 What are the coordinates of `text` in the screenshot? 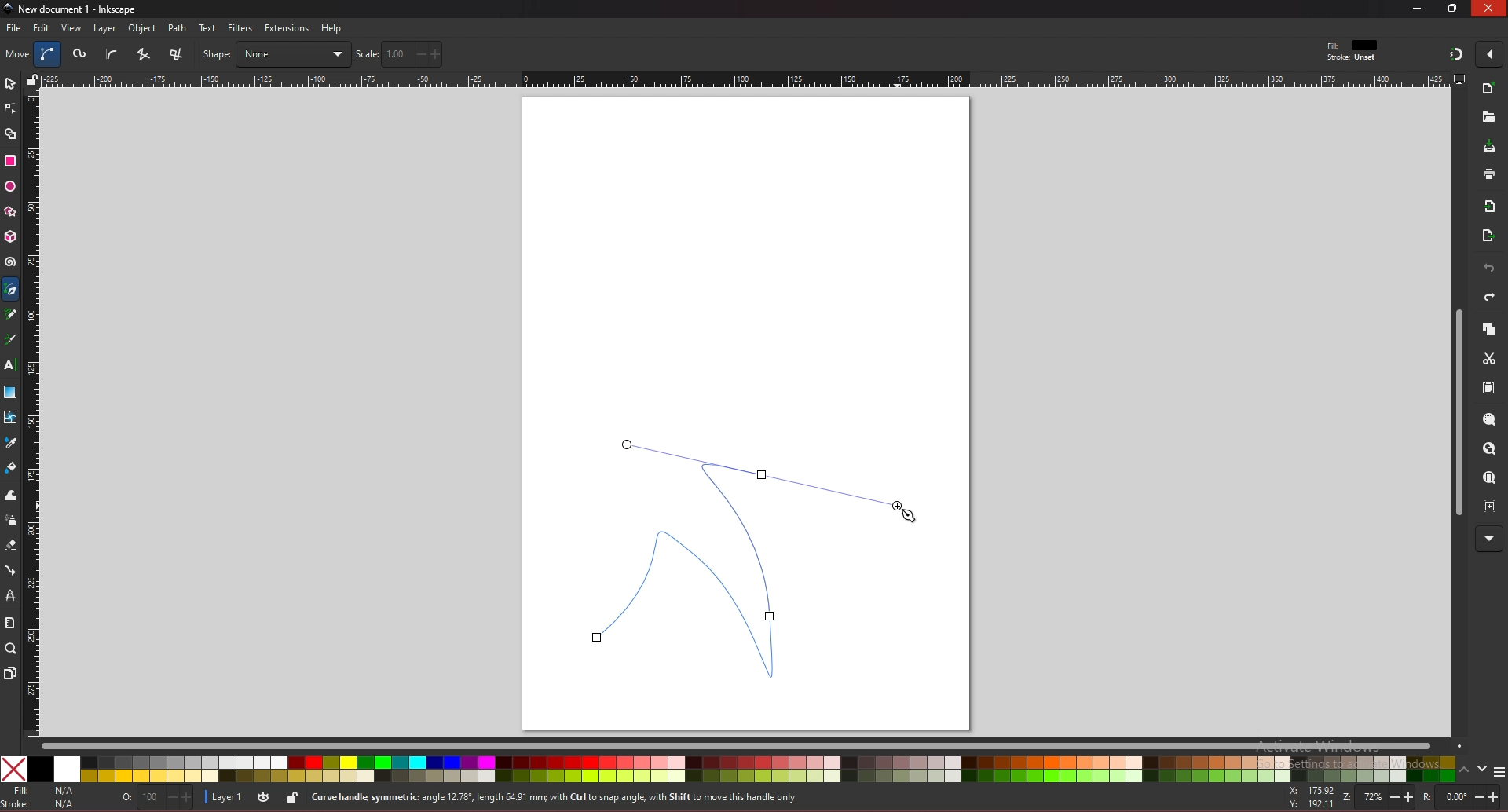 It's located at (9, 365).